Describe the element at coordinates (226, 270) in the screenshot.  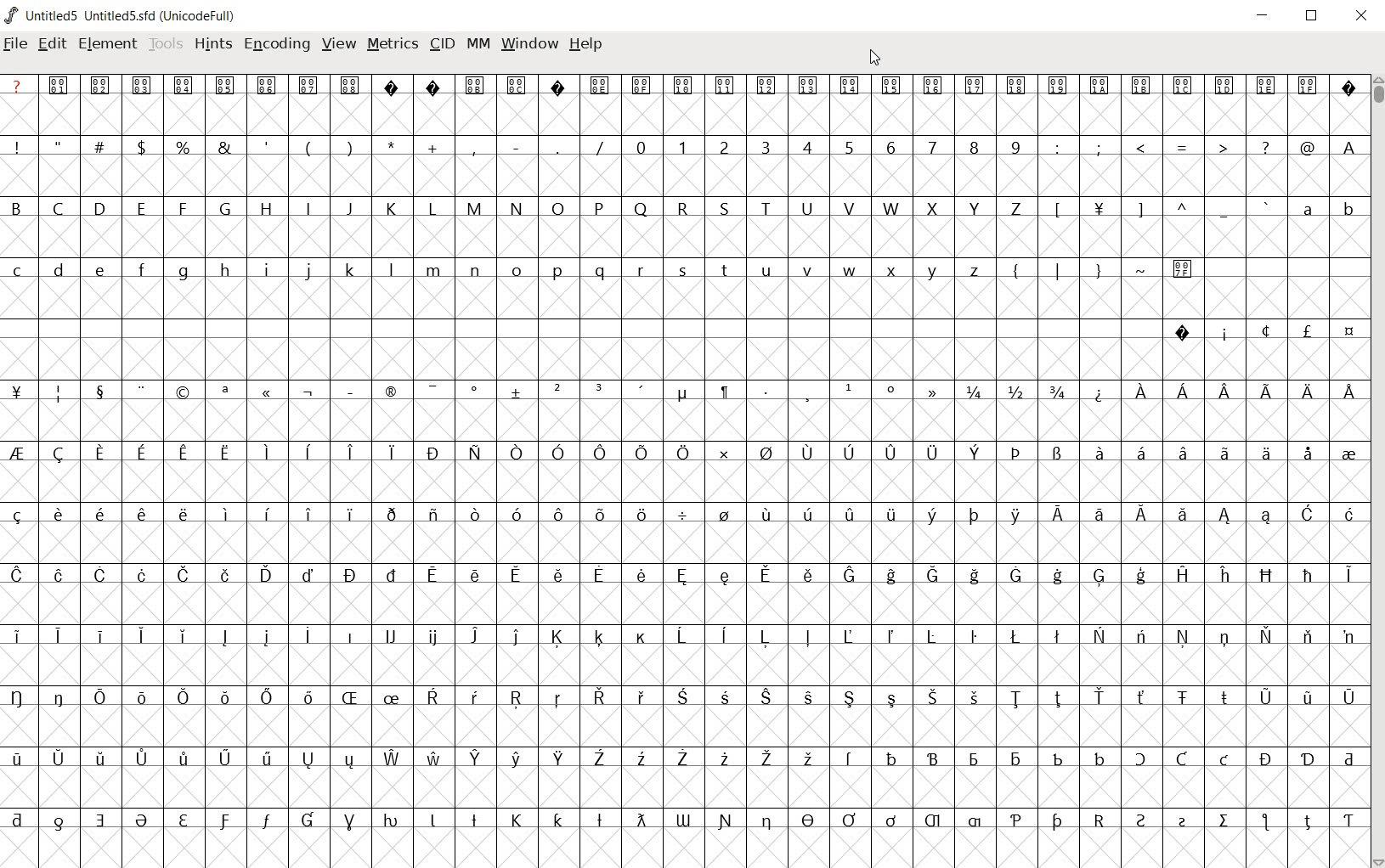
I see `h` at that location.